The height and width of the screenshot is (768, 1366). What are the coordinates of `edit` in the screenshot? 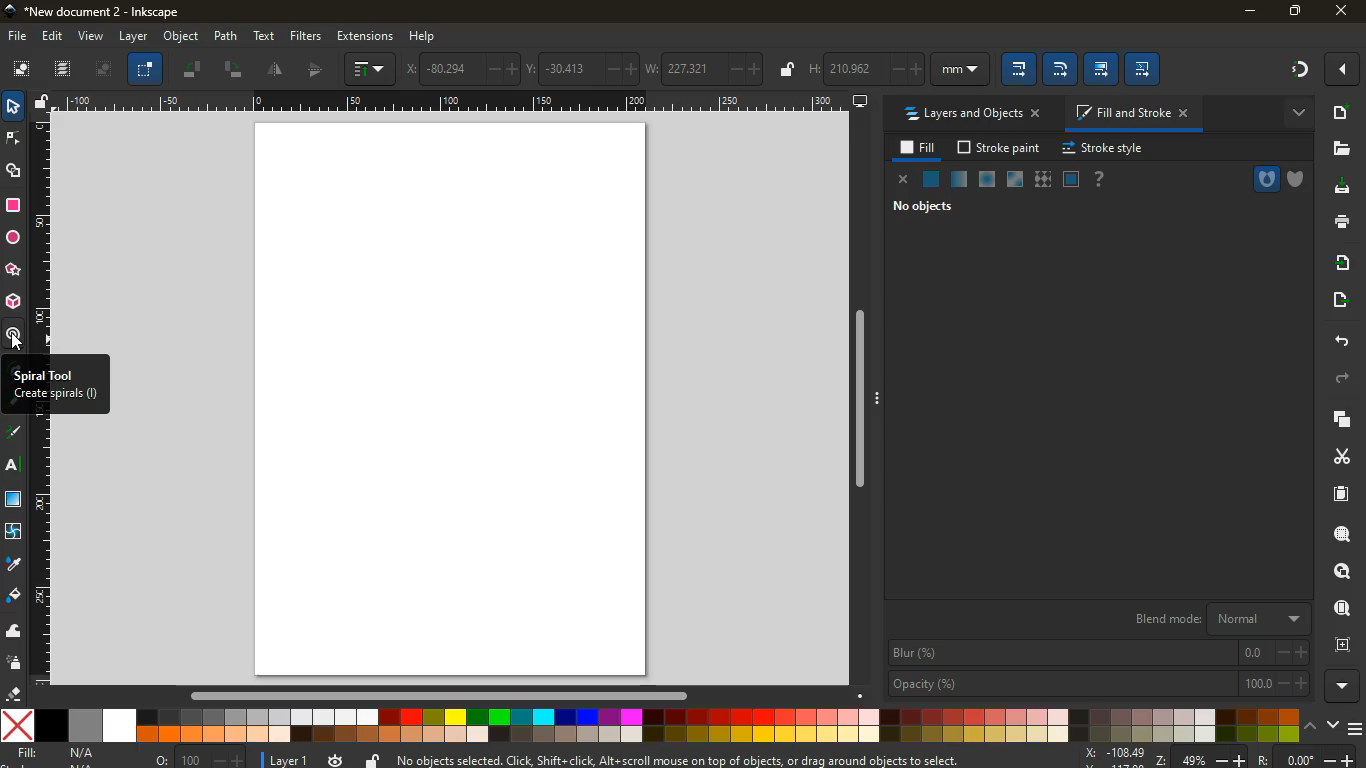 It's located at (52, 38).